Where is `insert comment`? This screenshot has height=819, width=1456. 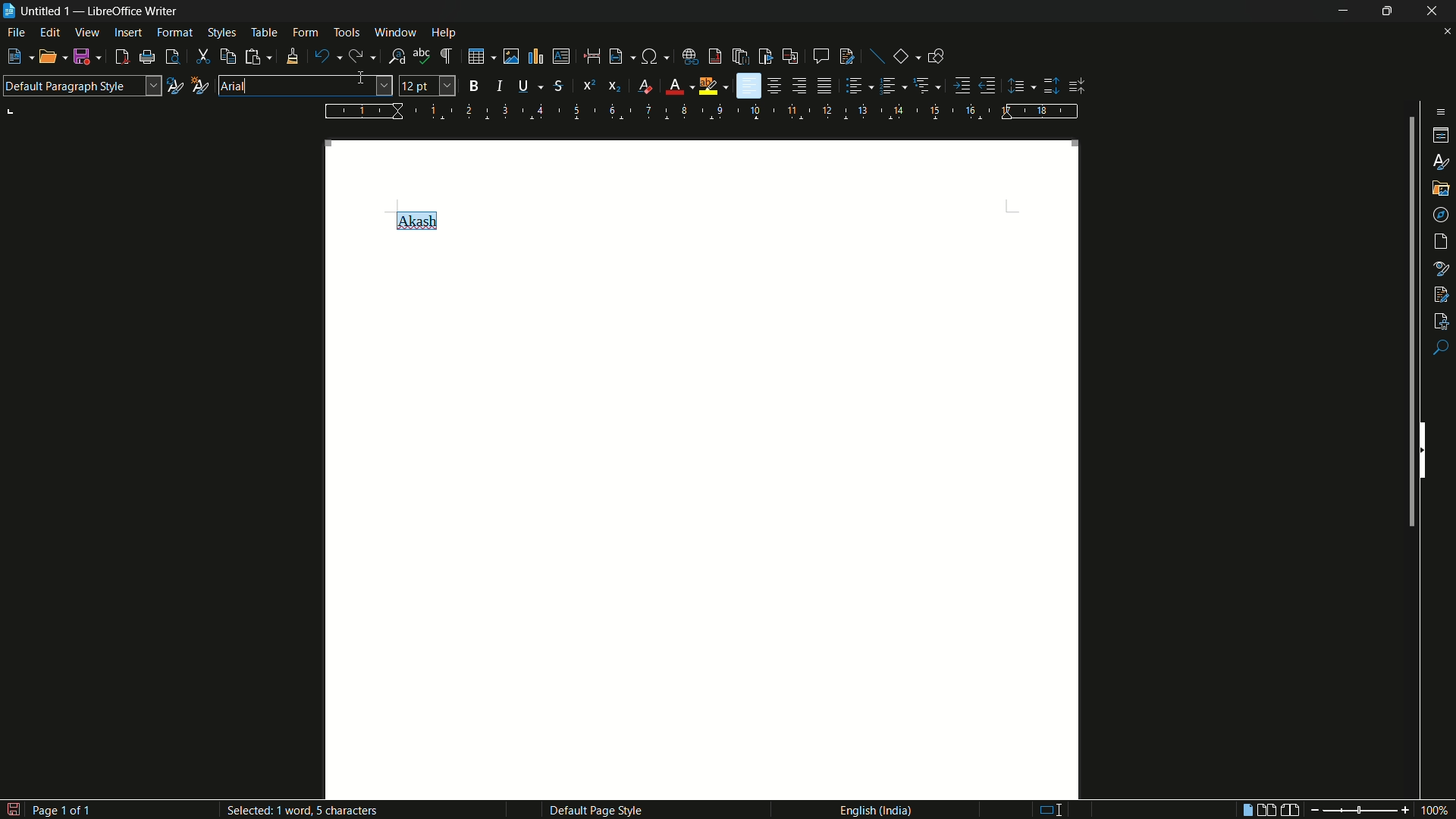
insert comment is located at coordinates (821, 56).